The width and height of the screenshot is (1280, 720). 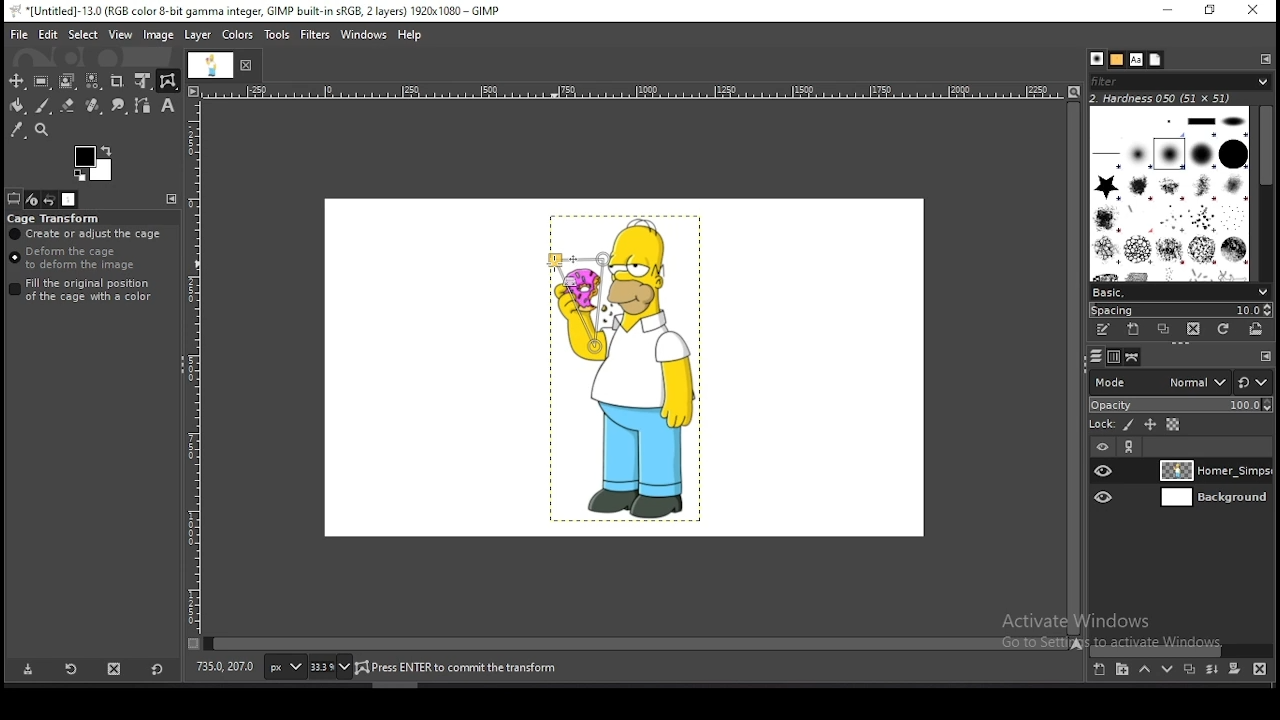 I want to click on paint bucket tool, so click(x=17, y=105).